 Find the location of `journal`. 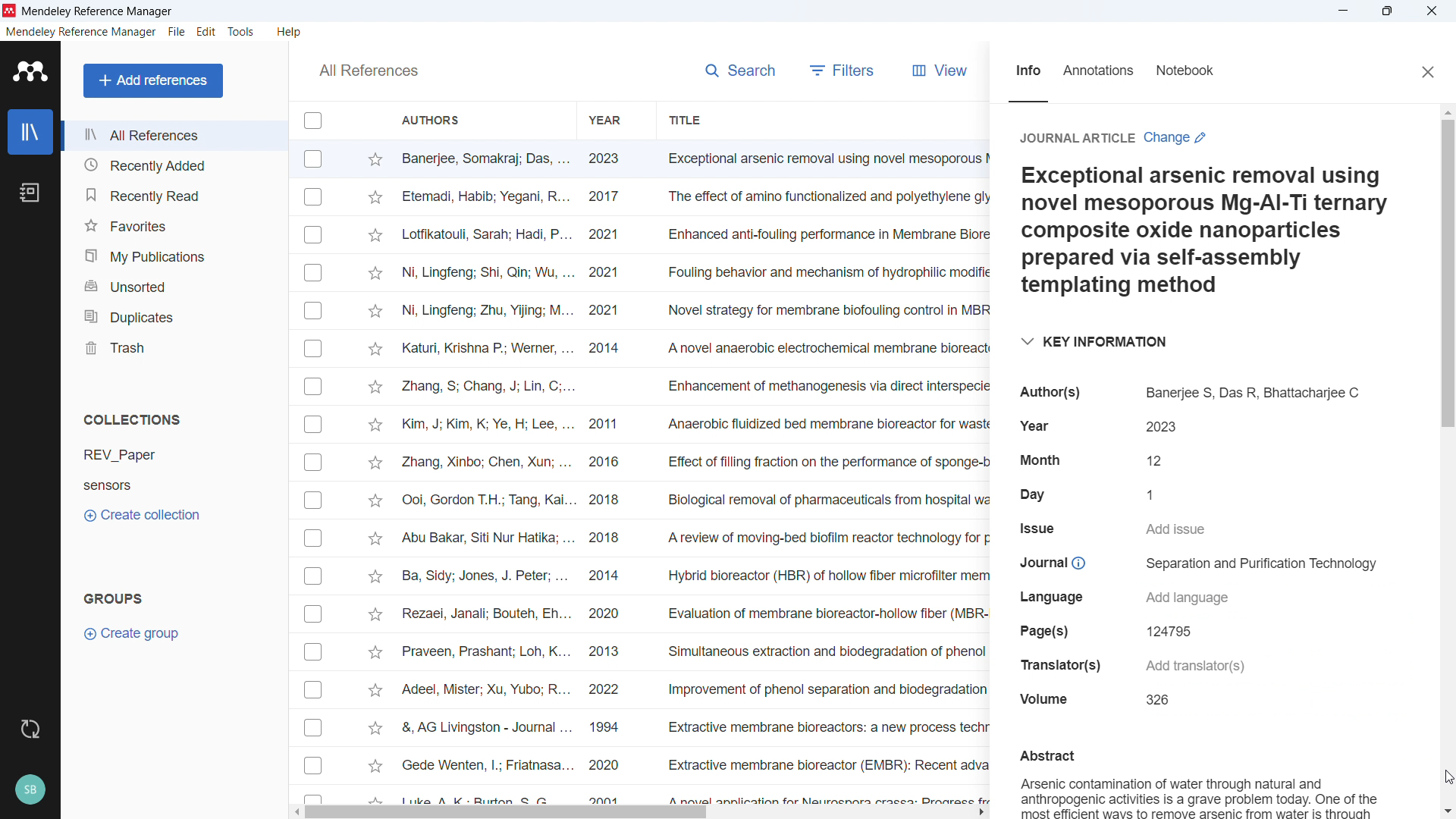

journal is located at coordinates (1057, 562).